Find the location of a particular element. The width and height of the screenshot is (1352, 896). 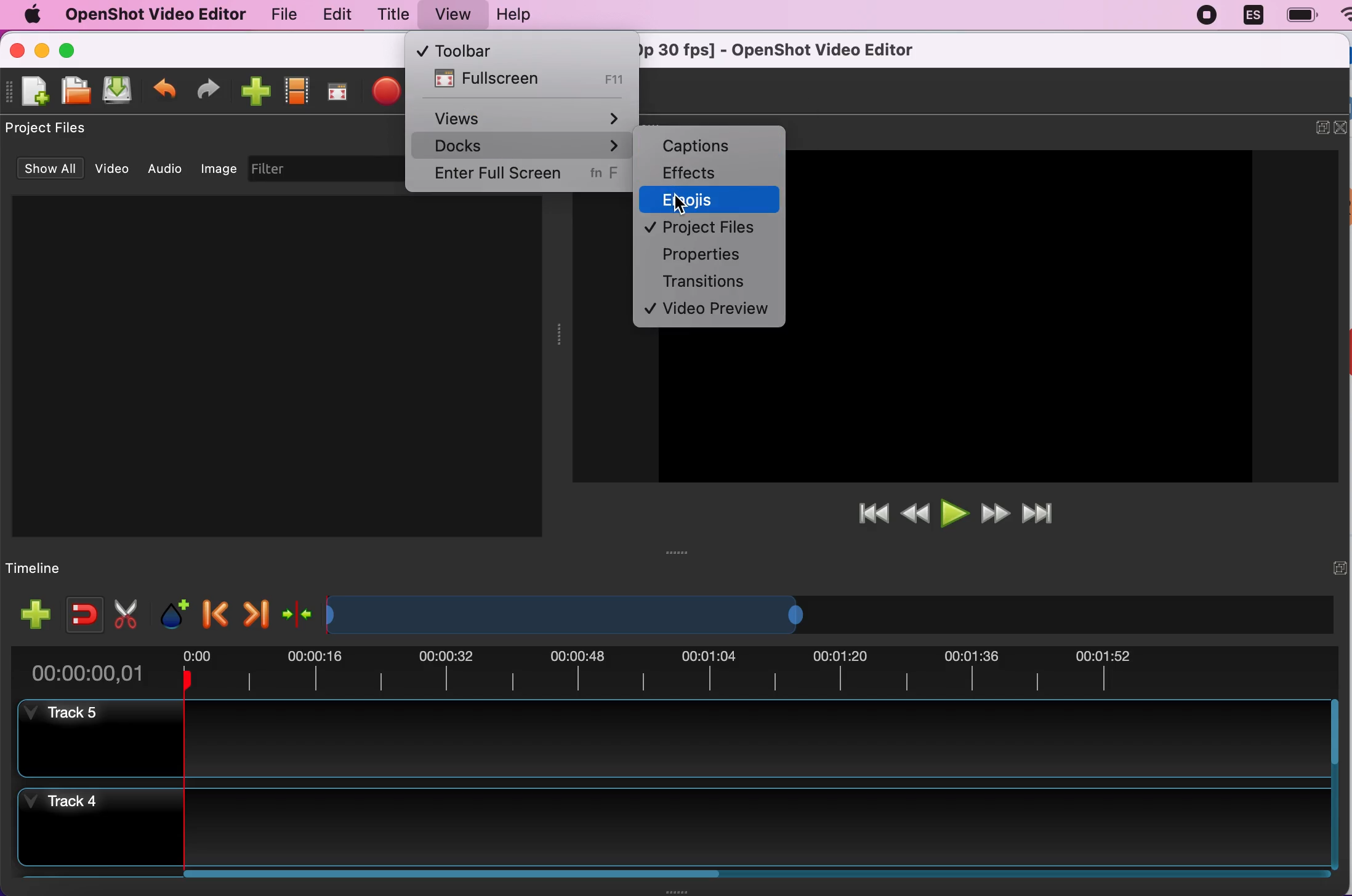

properties is located at coordinates (706, 255).